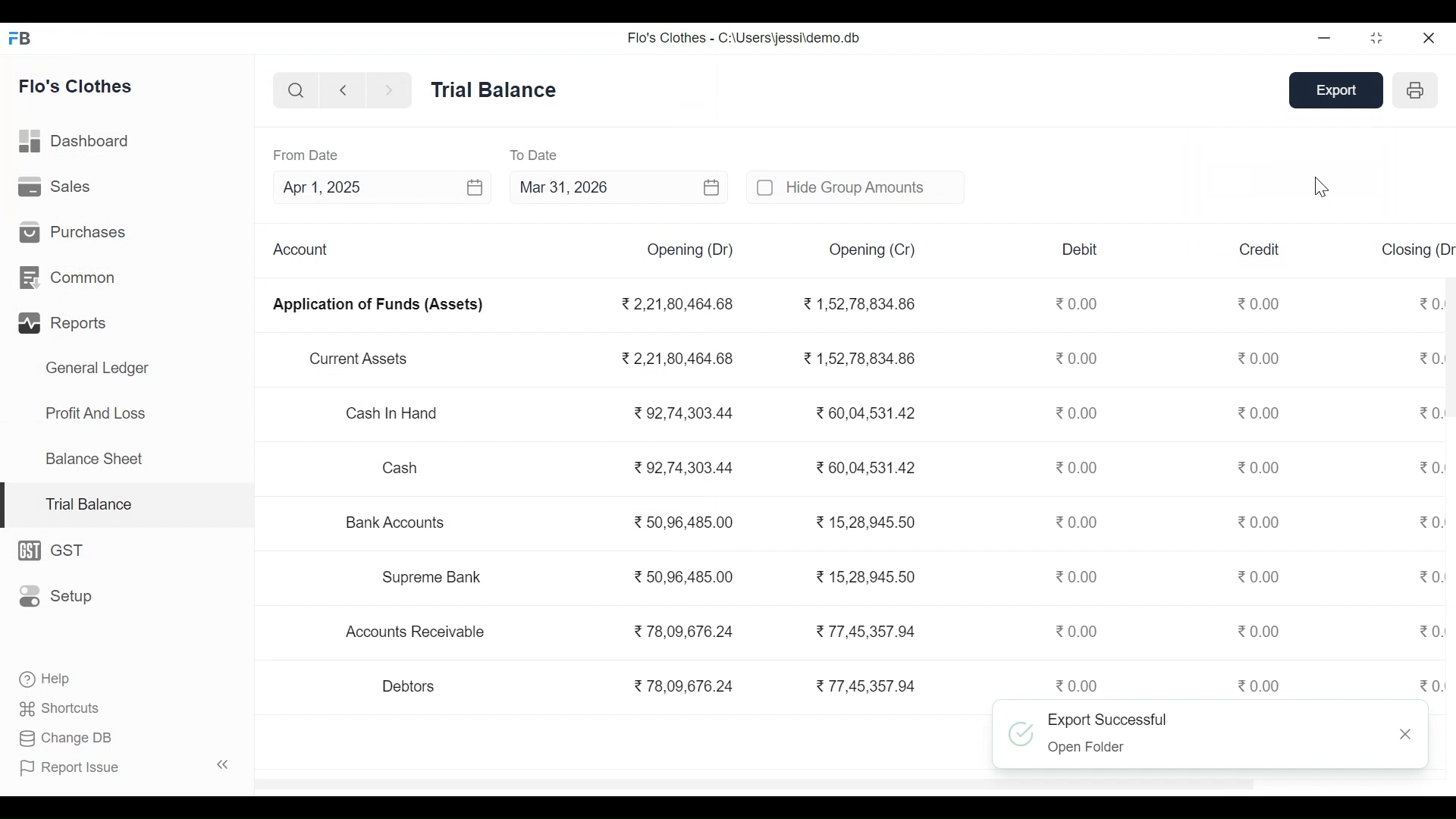 The height and width of the screenshot is (819, 1456). What do you see at coordinates (865, 685) in the screenshot?
I see `77,45,357.94` at bounding box center [865, 685].